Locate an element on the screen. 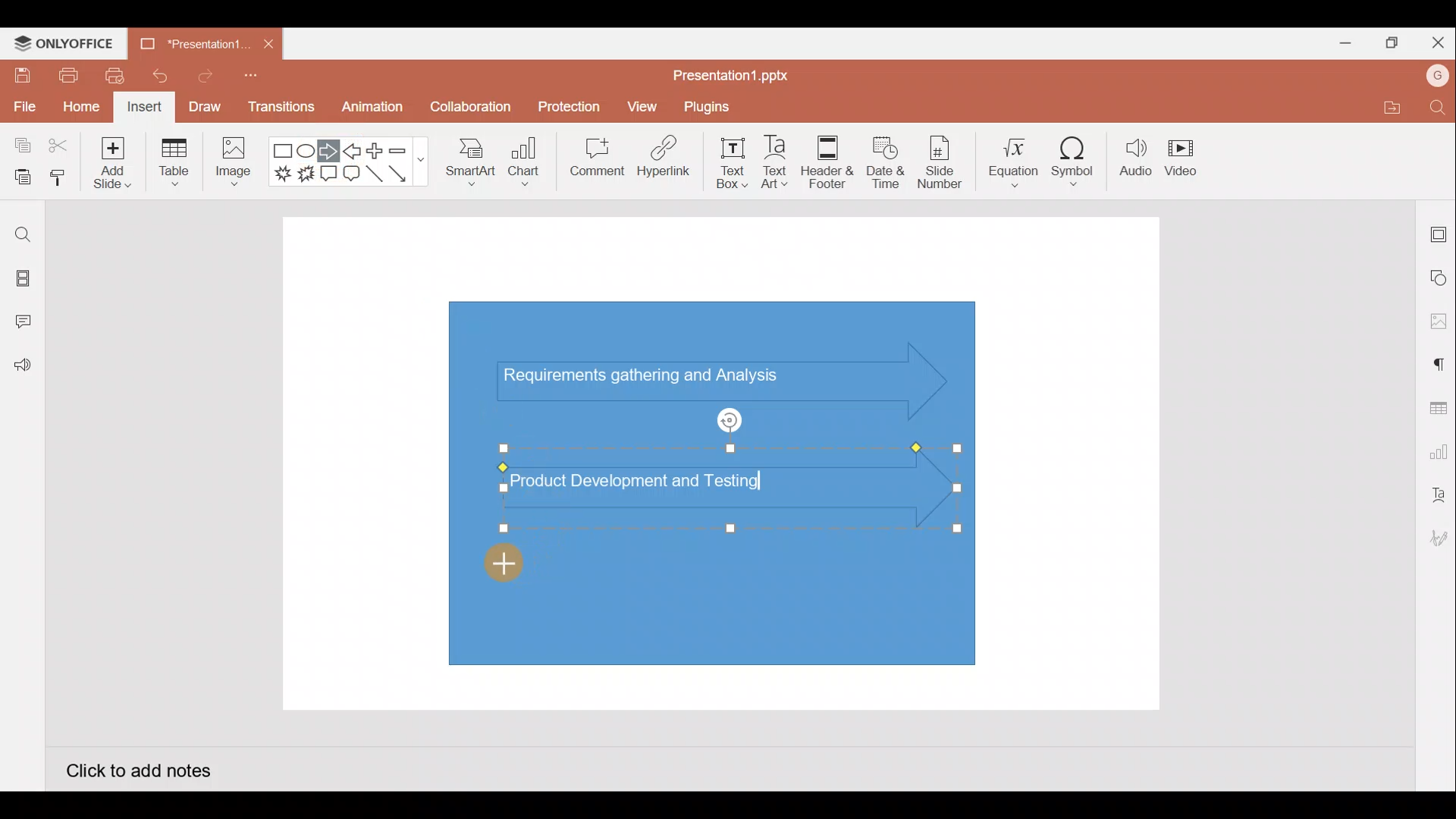 The width and height of the screenshot is (1456, 819). Insert is located at coordinates (145, 108).